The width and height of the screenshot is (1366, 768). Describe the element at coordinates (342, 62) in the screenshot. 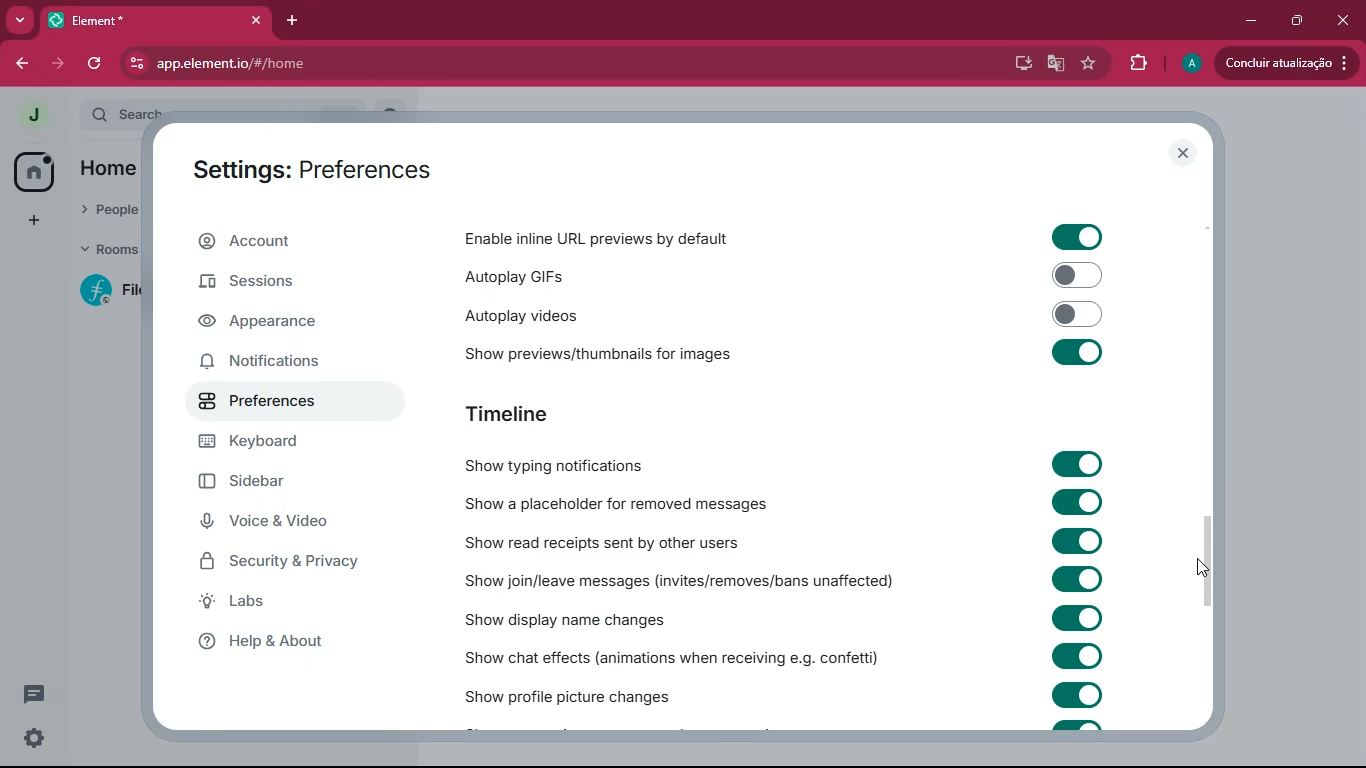

I see `app.element.io/#/home` at that location.